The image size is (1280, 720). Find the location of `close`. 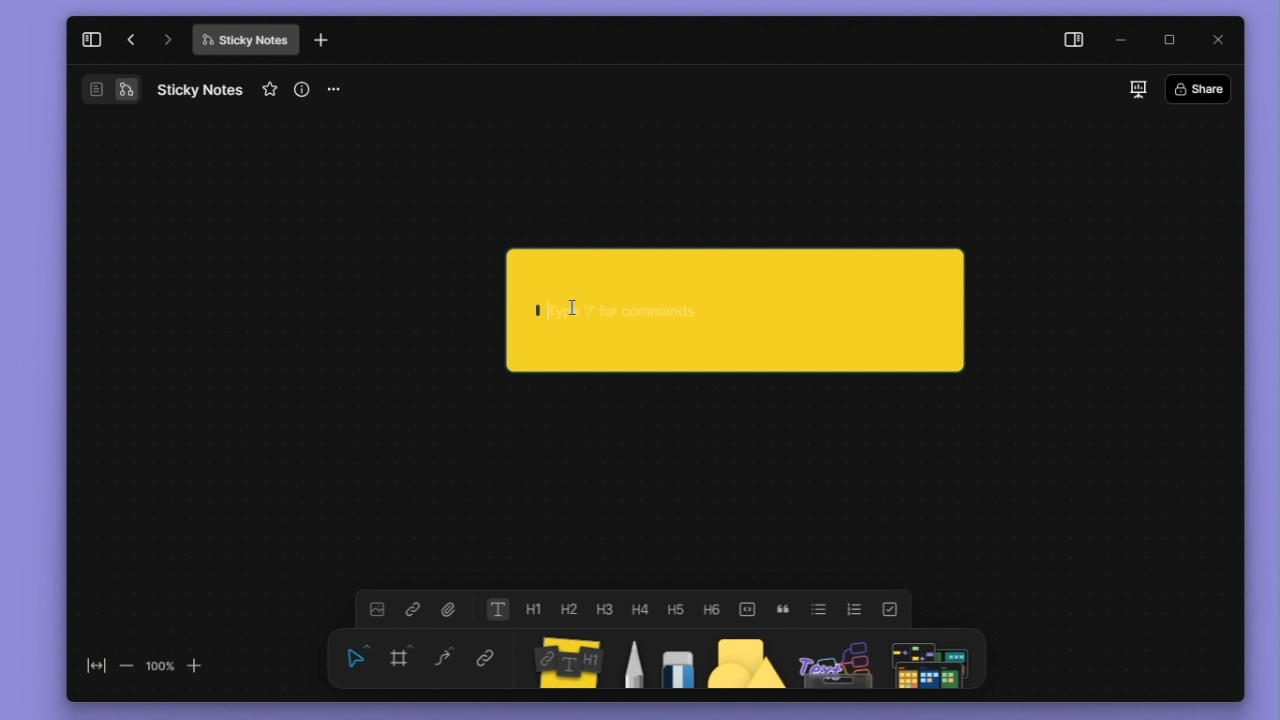

close is located at coordinates (1219, 37).